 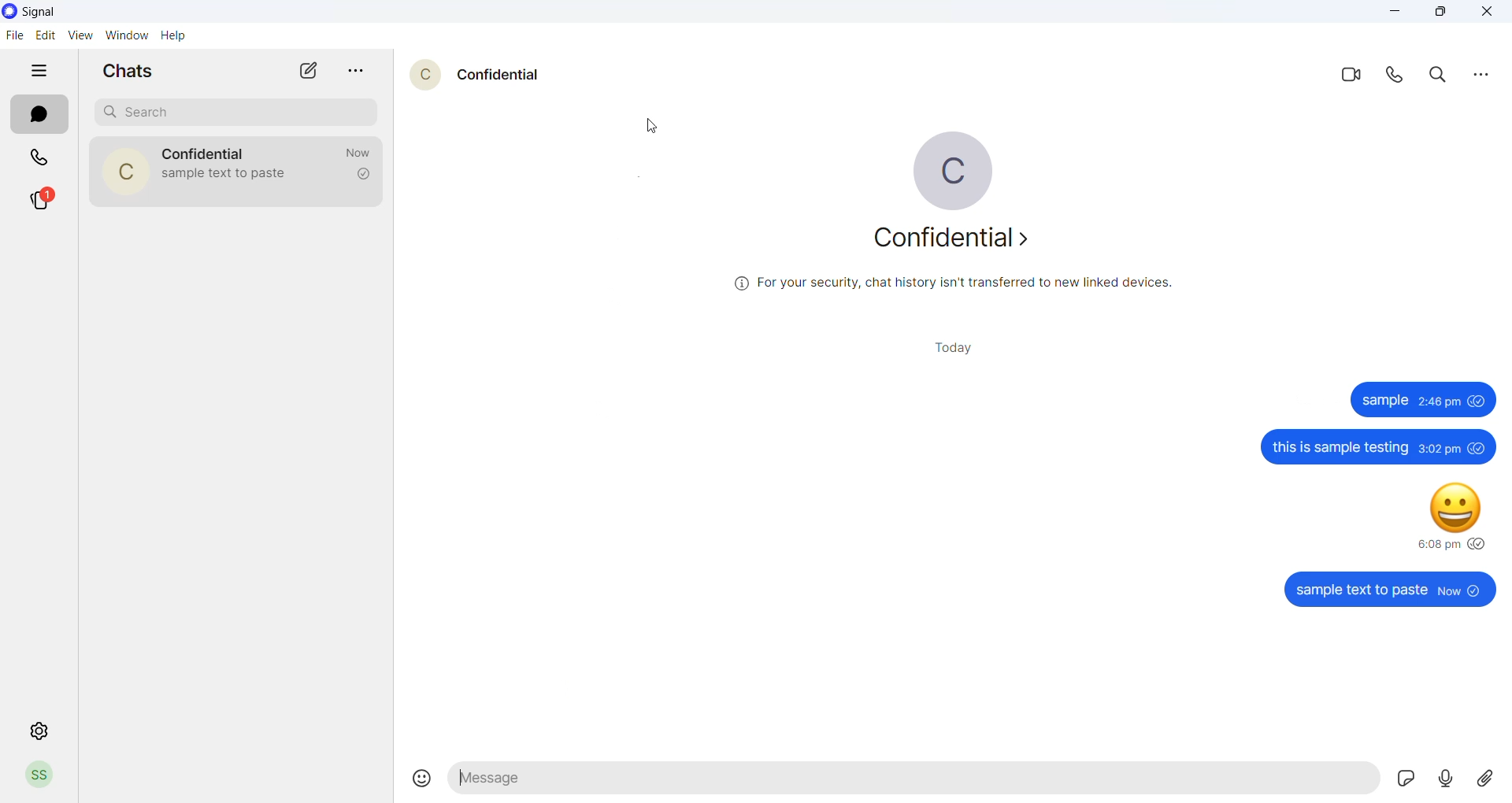 I want to click on read recipient, so click(x=365, y=175).